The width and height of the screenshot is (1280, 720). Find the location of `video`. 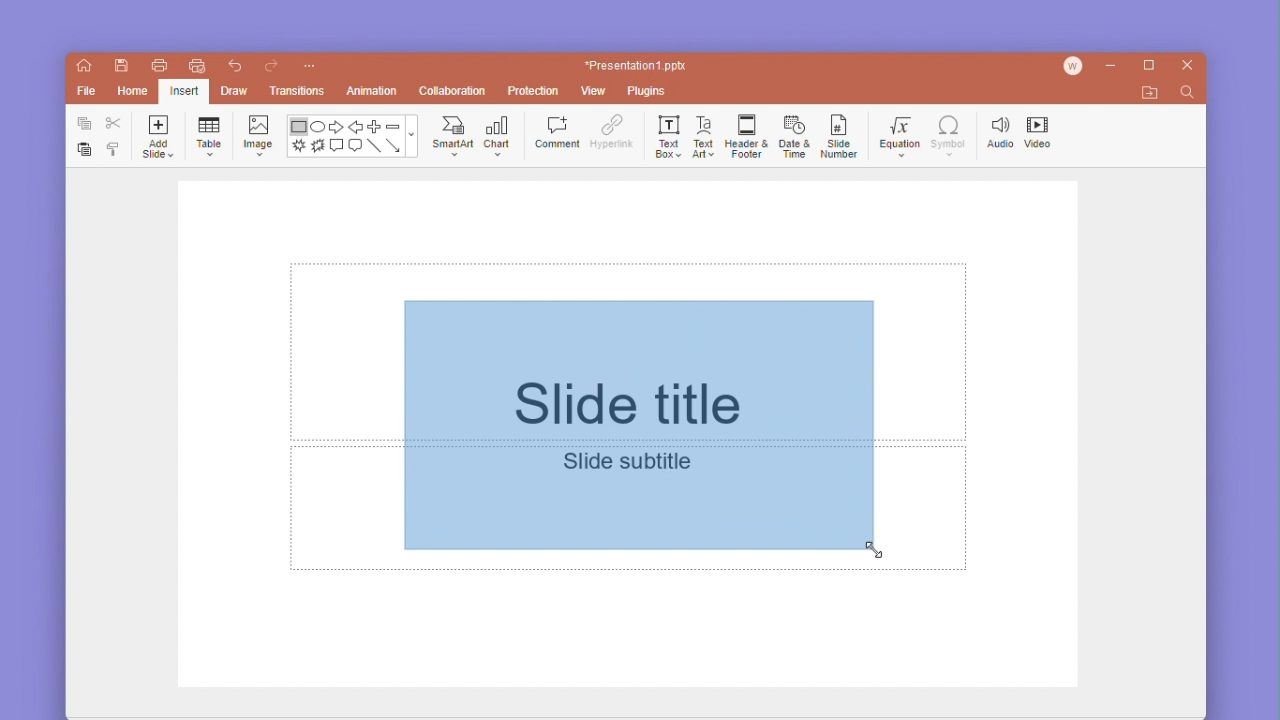

video is located at coordinates (1041, 130).